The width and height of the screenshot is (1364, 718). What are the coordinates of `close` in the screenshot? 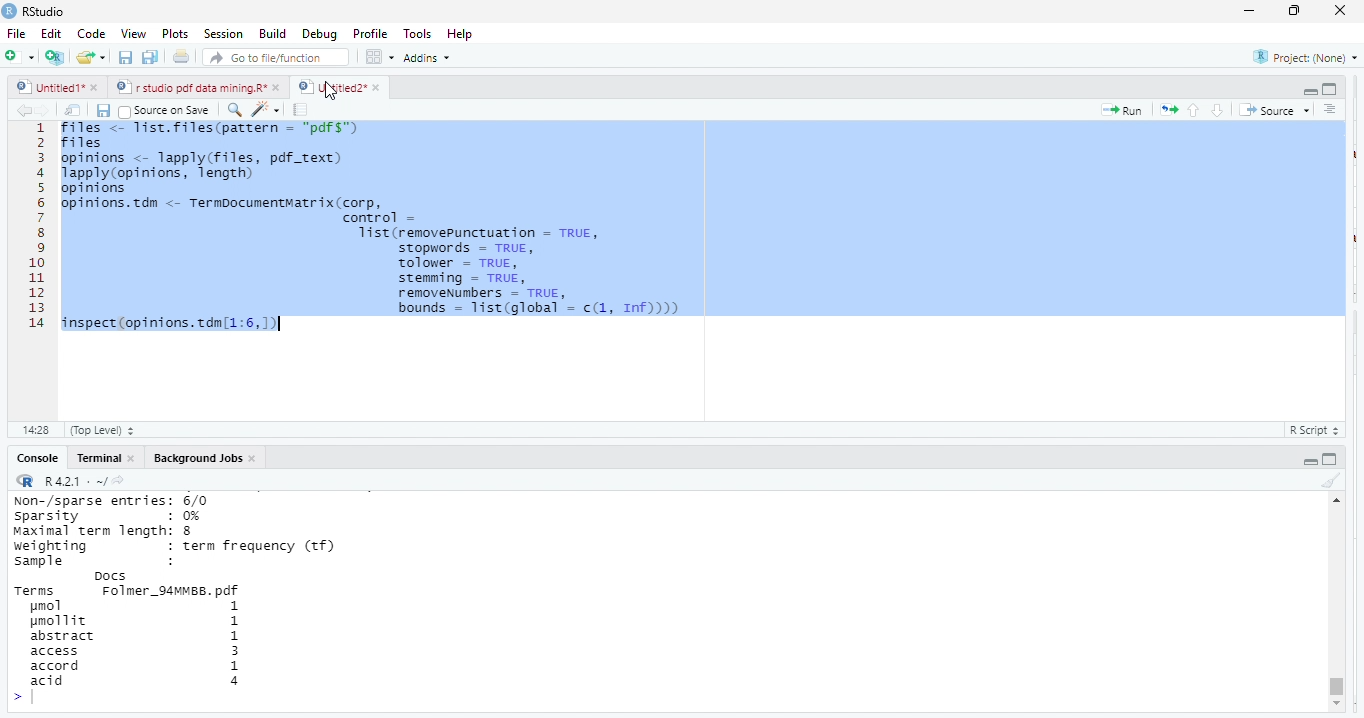 It's located at (1342, 11).